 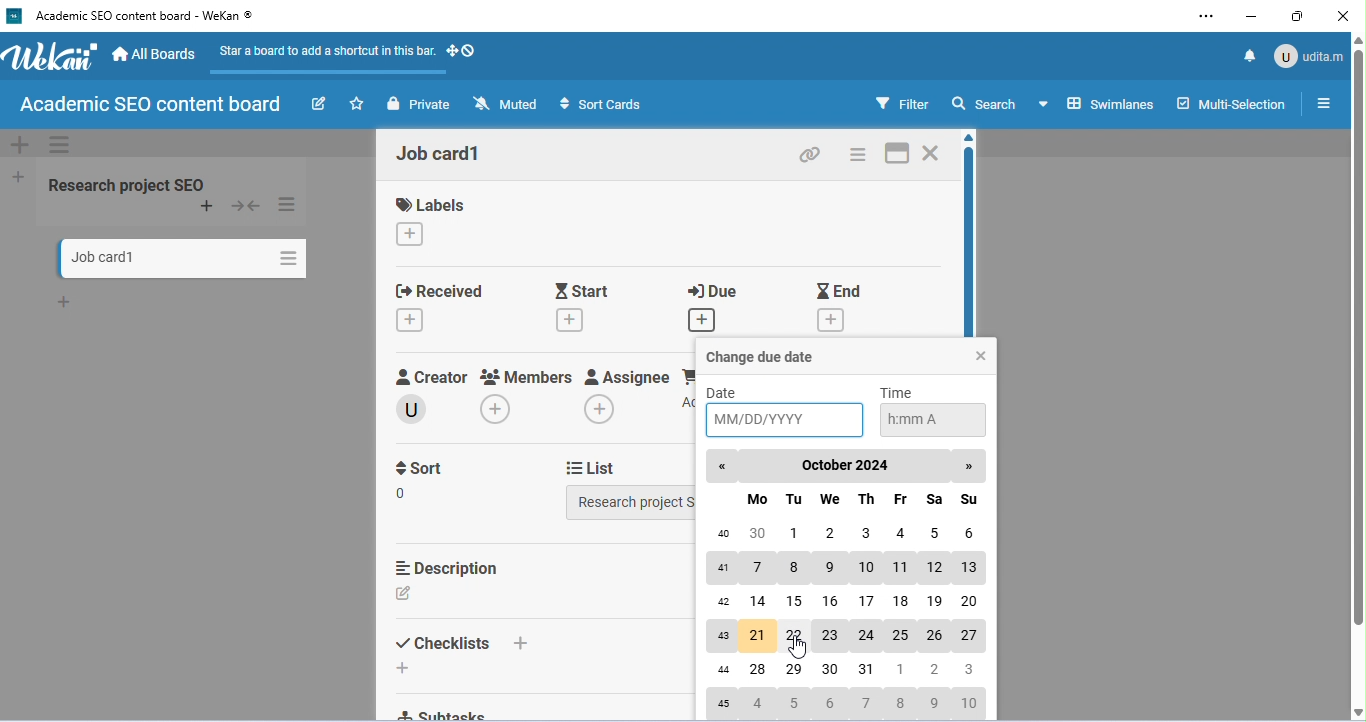 What do you see at coordinates (900, 393) in the screenshot?
I see `time` at bounding box center [900, 393].